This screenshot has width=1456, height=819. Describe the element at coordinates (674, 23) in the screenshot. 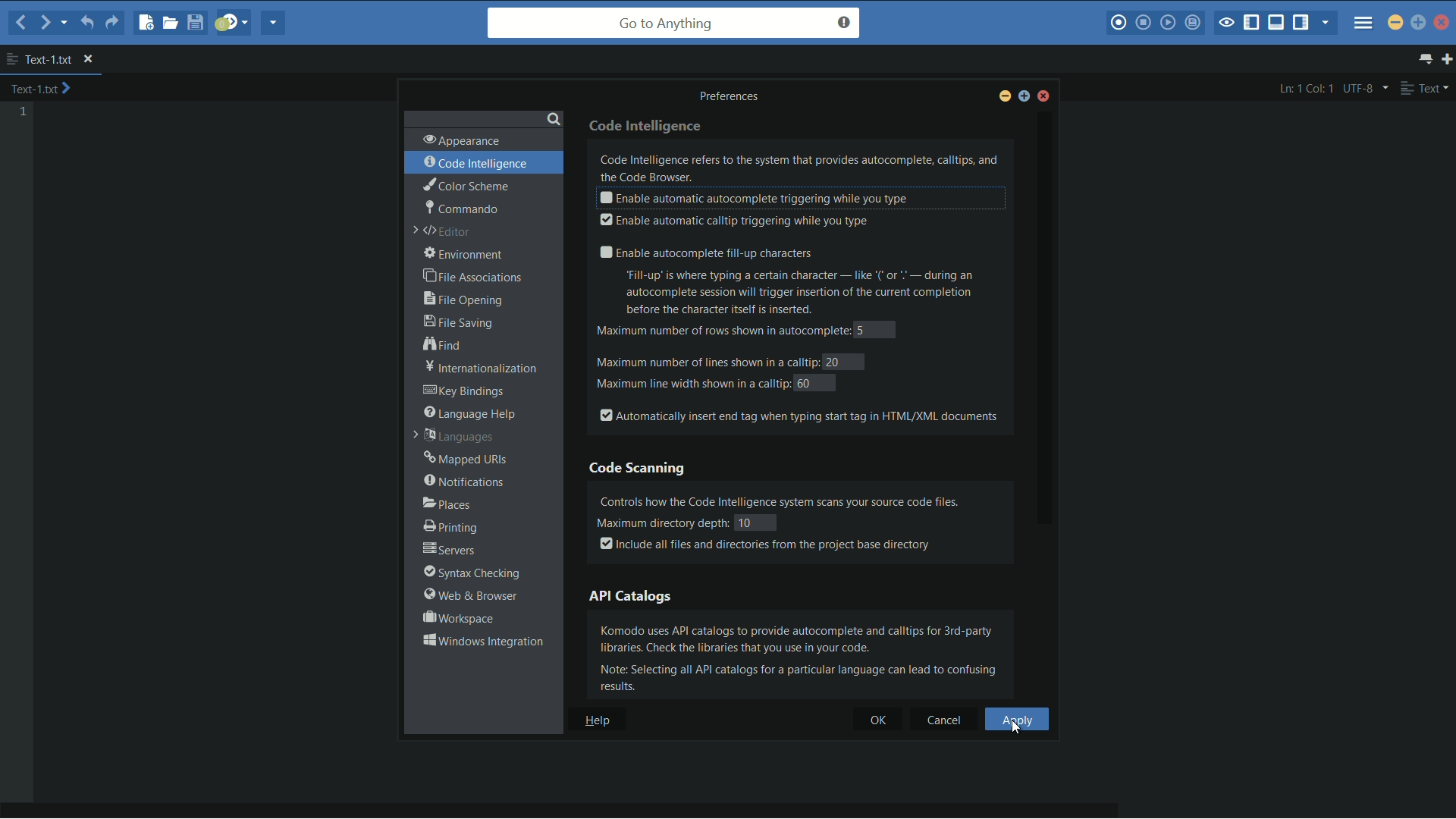

I see `go to anything ` at that location.